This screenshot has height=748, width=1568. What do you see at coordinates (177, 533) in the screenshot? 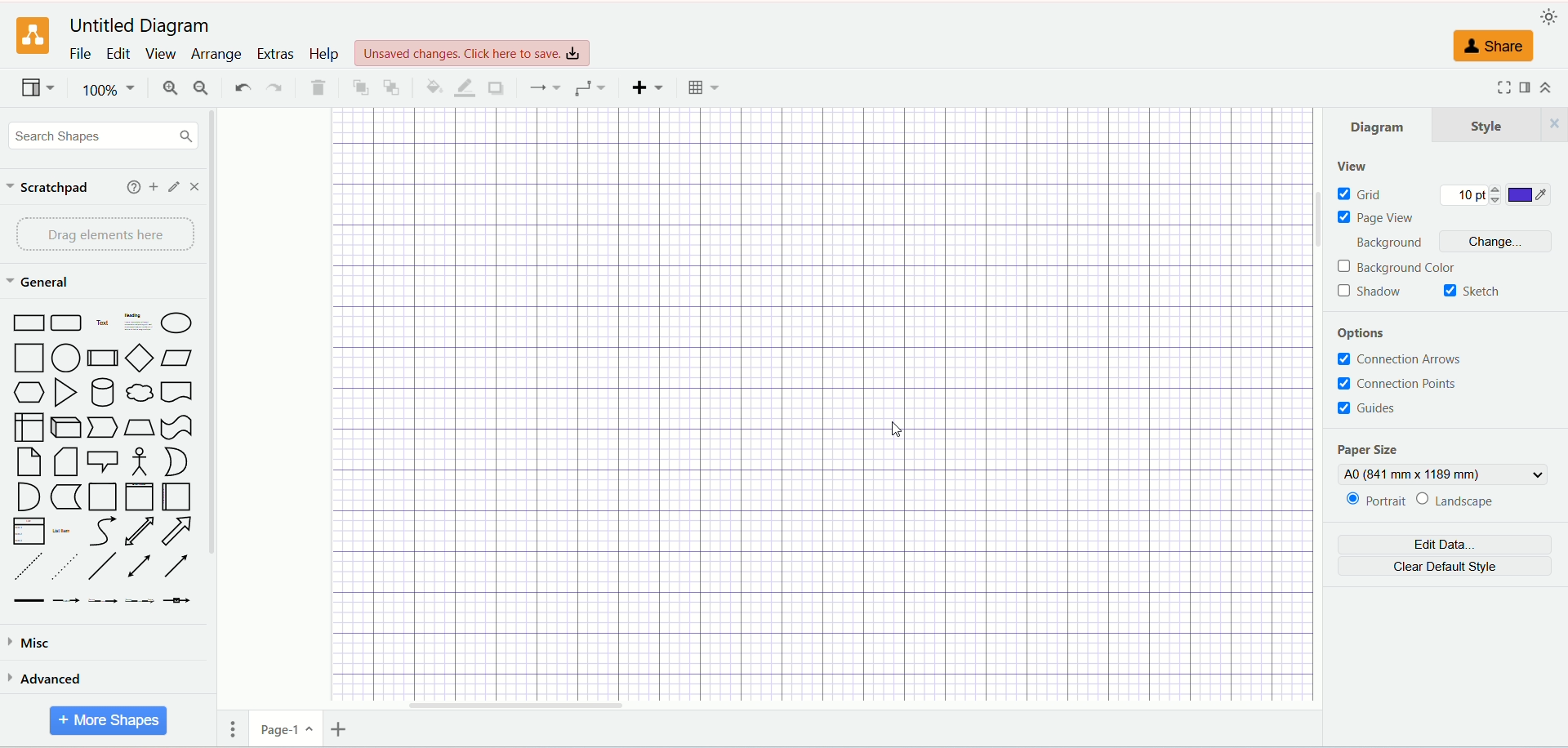
I see `Arrow` at bounding box center [177, 533].